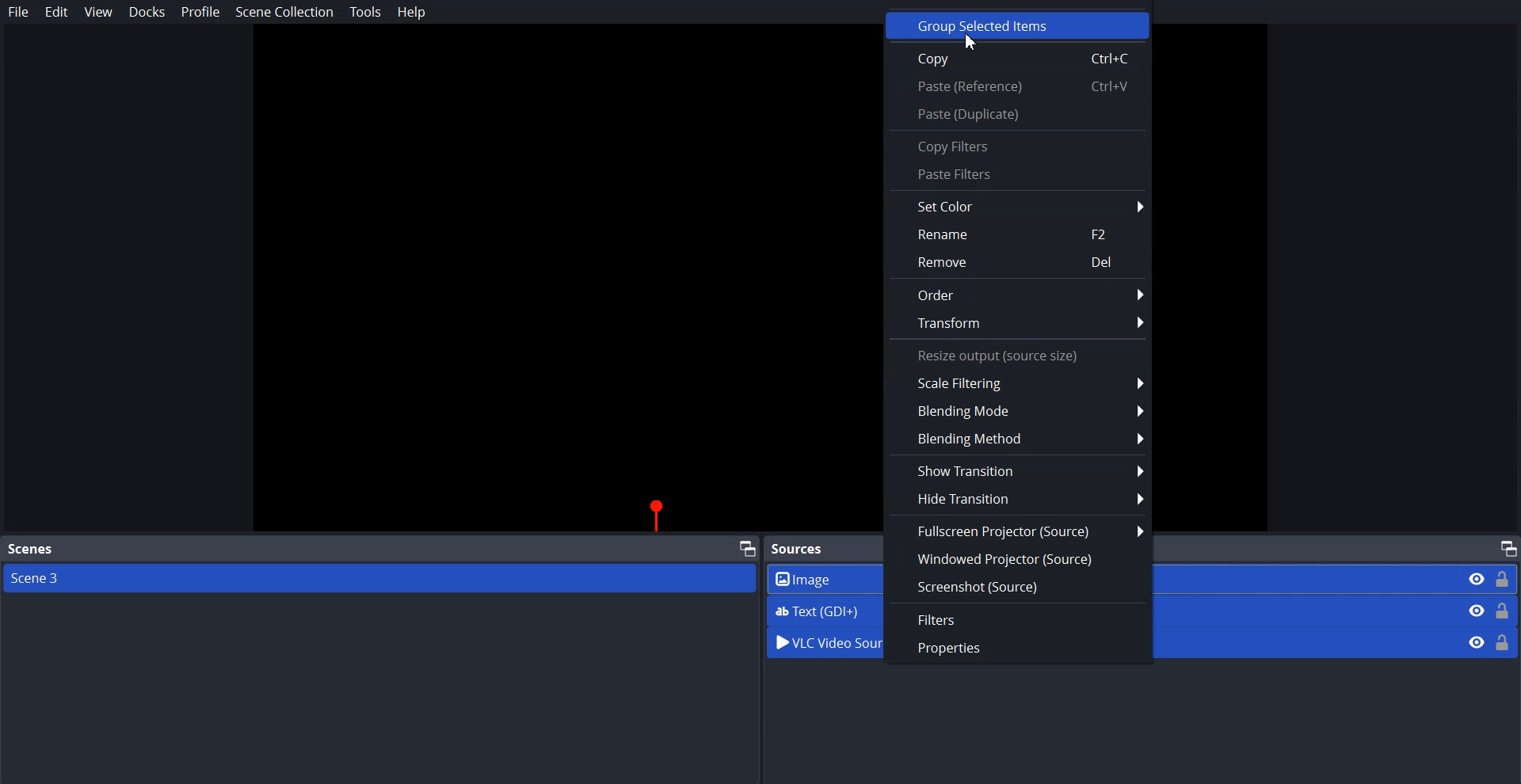 Image resolution: width=1521 pixels, height=784 pixels. What do you see at coordinates (1018, 354) in the screenshot?
I see `Text` at bounding box center [1018, 354].